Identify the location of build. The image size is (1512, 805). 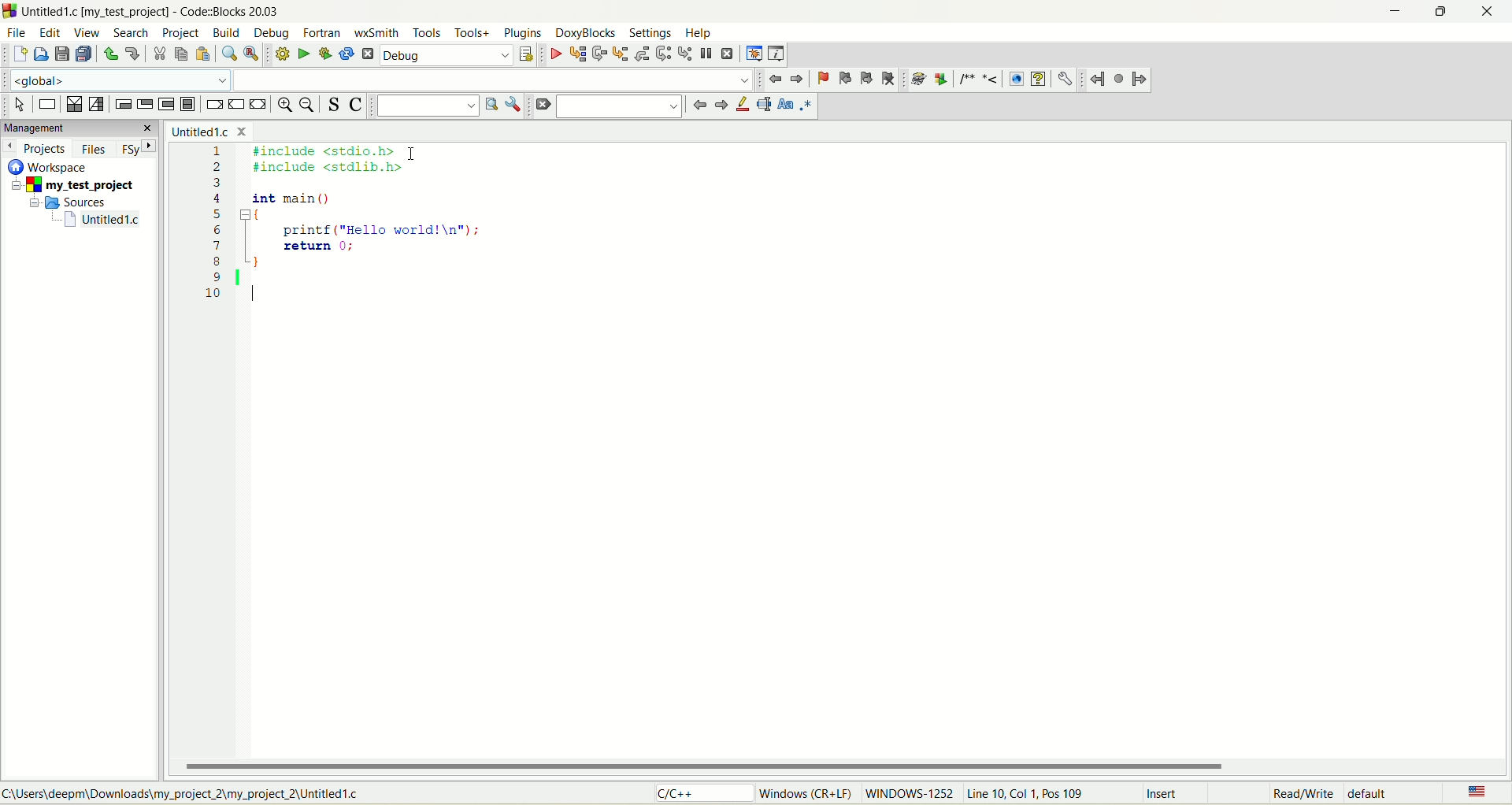
(279, 54).